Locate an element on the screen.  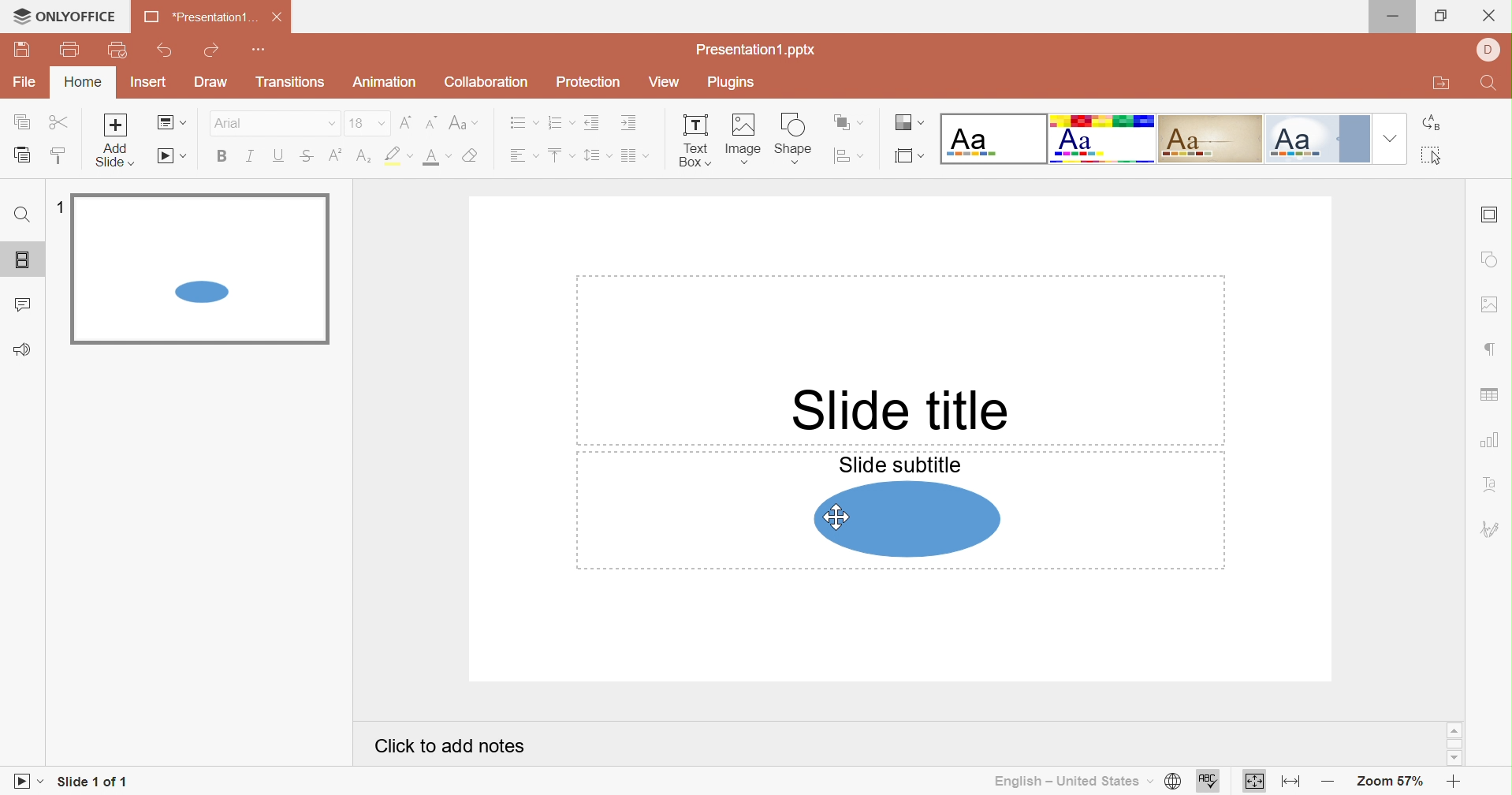
Presentation1.pptx is located at coordinates (757, 51).